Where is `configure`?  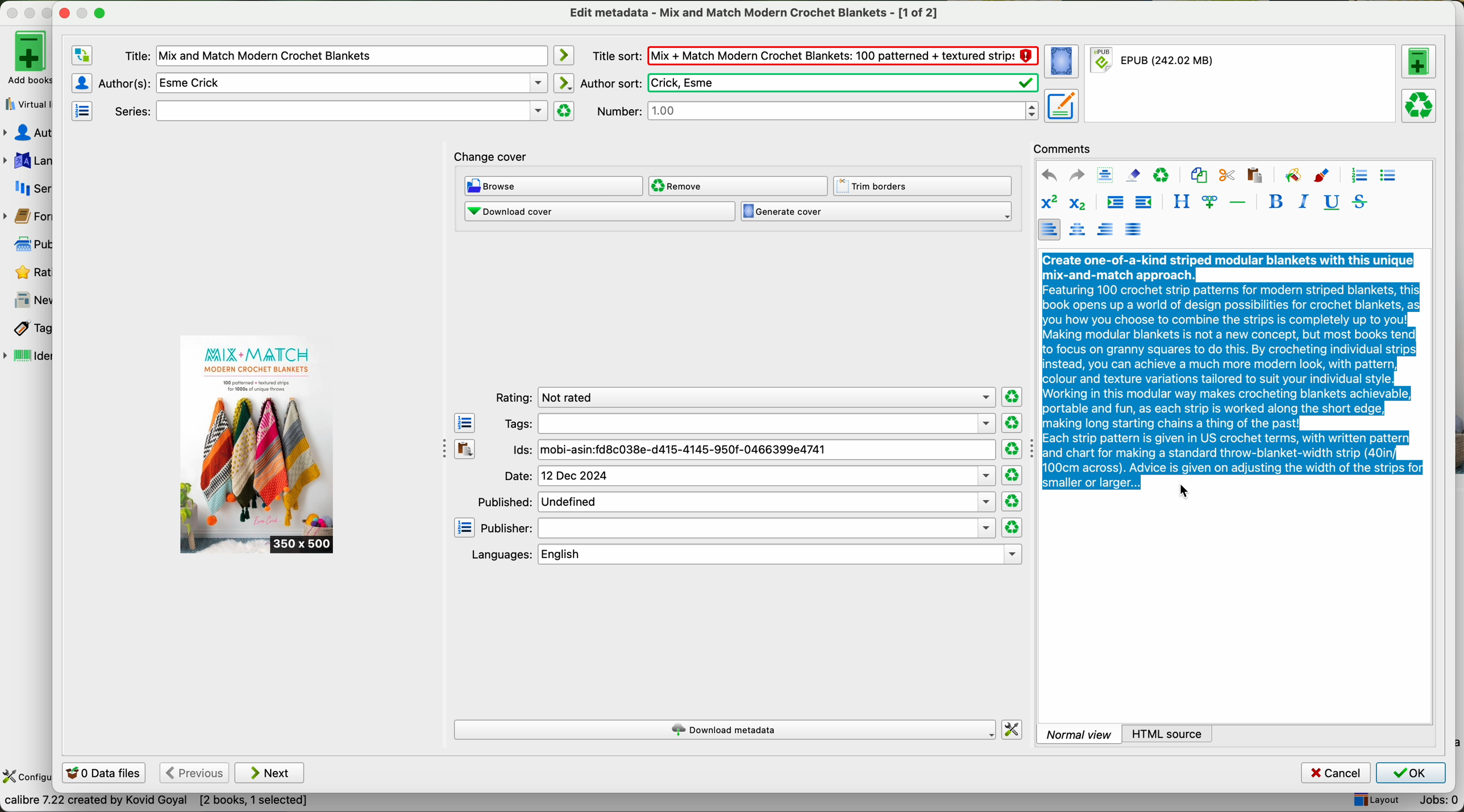
configure is located at coordinates (27, 777).